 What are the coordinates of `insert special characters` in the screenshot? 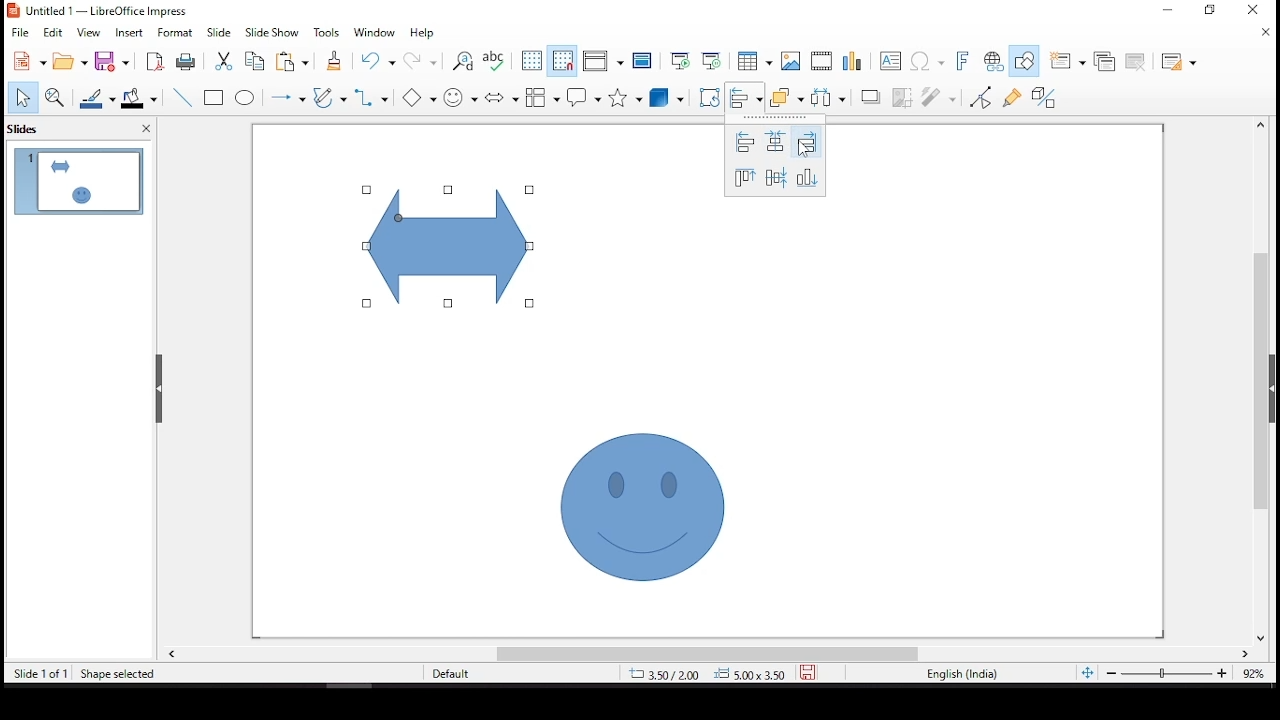 It's located at (927, 60).